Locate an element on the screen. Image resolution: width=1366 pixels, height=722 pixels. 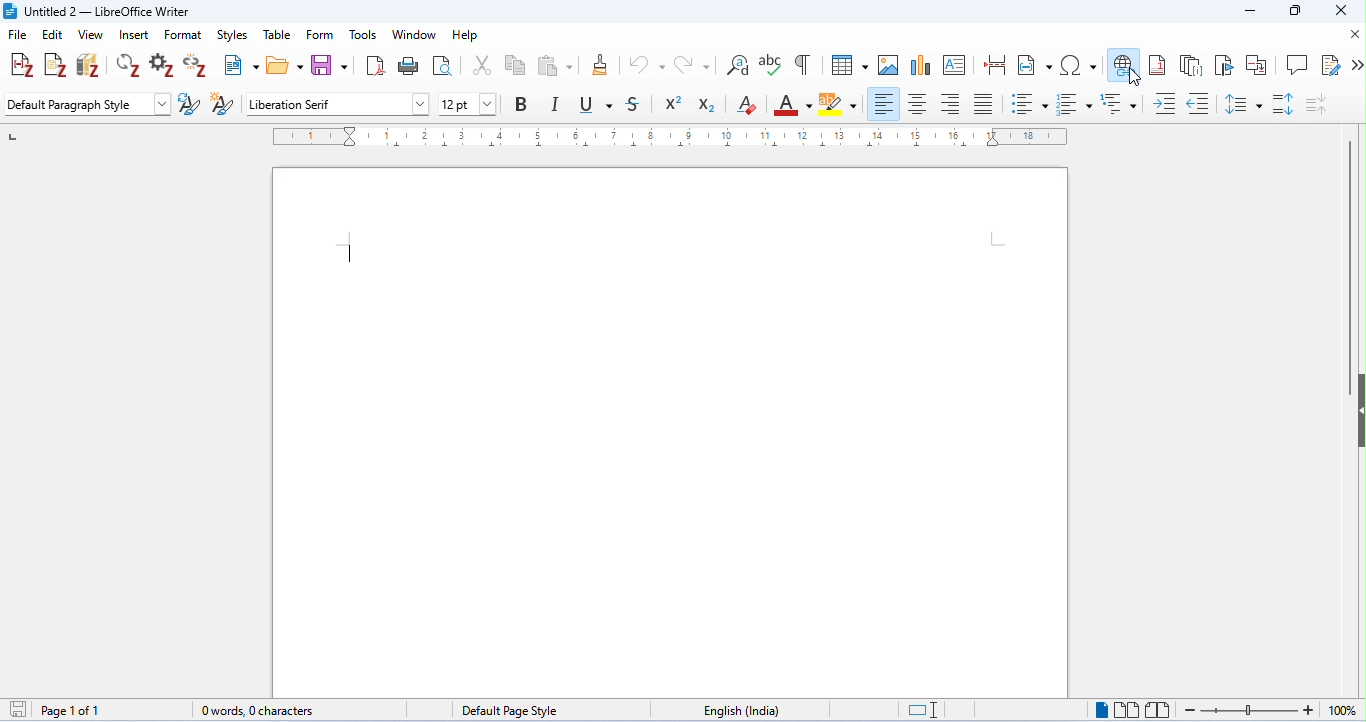
subscript is located at coordinates (709, 104).